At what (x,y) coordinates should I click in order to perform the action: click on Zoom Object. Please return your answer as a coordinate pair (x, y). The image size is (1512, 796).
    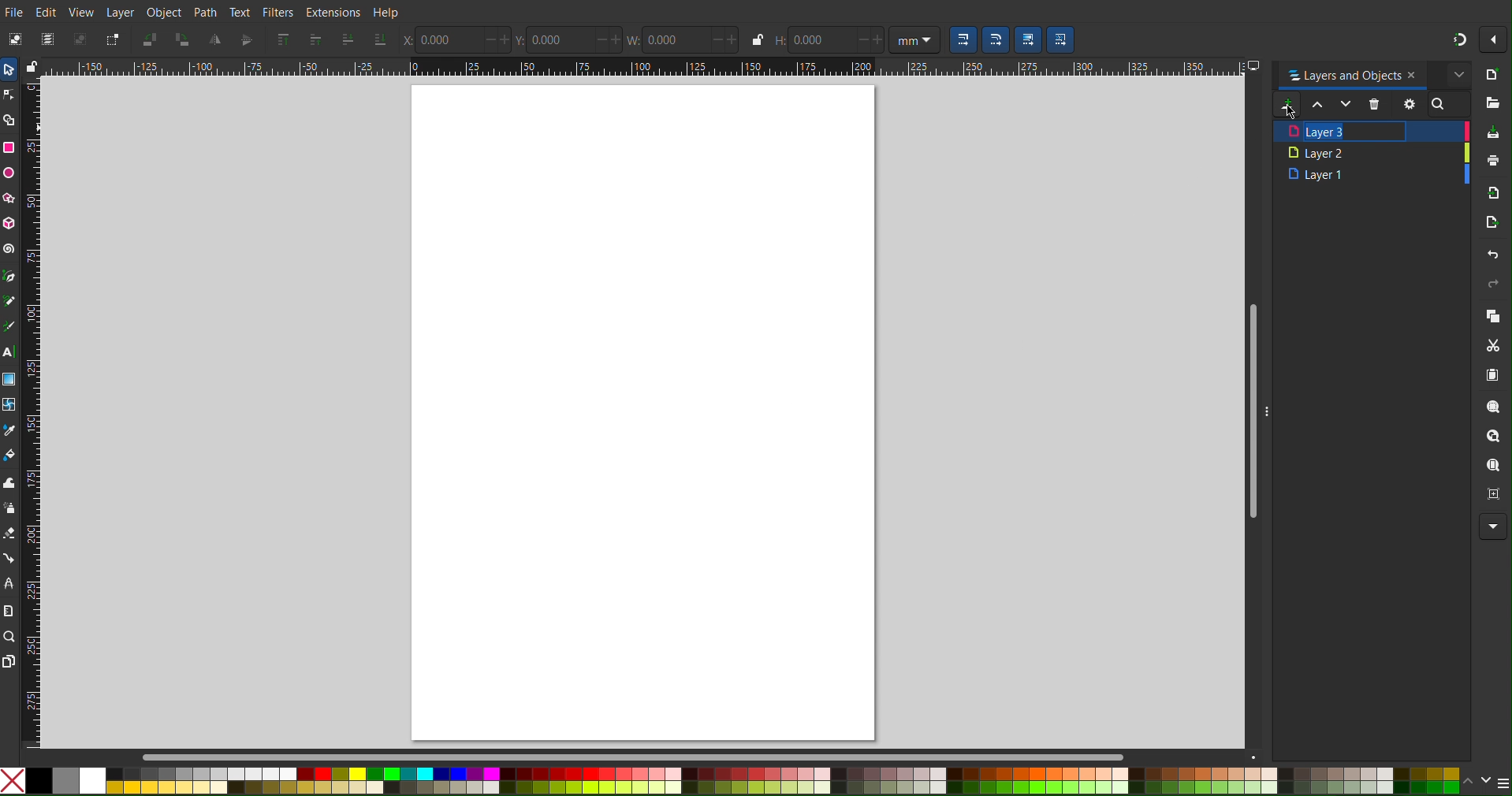
    Looking at the image, I should click on (1492, 439).